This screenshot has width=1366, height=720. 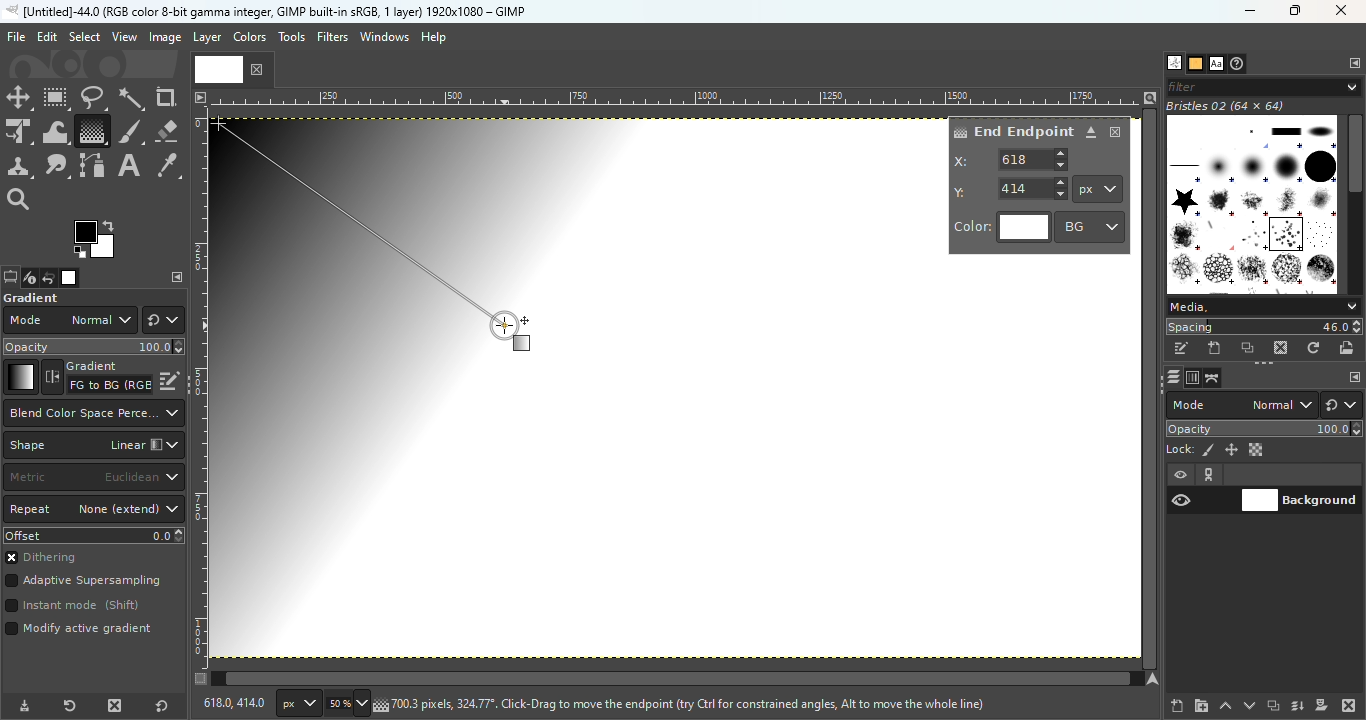 I want to click on Open the tools option dialog, so click(x=9, y=279).